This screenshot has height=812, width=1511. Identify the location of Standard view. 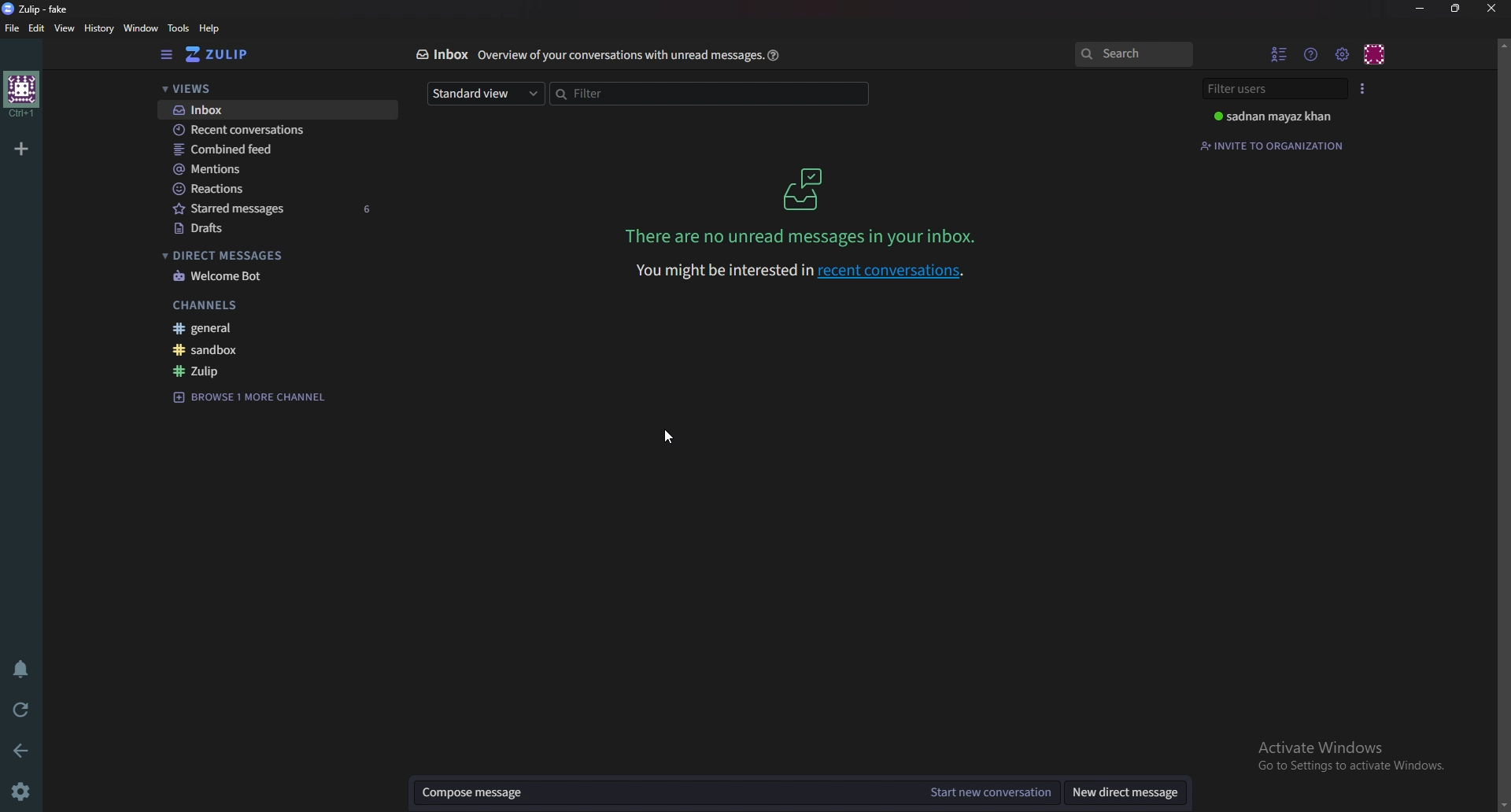
(484, 94).